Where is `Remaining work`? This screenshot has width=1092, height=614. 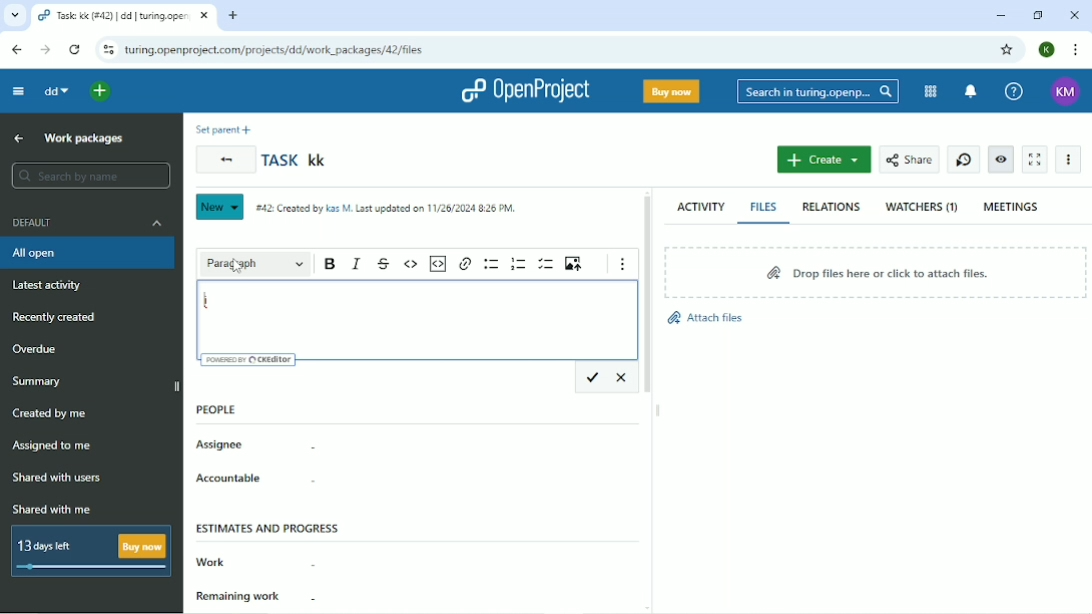
Remaining work is located at coordinates (260, 599).